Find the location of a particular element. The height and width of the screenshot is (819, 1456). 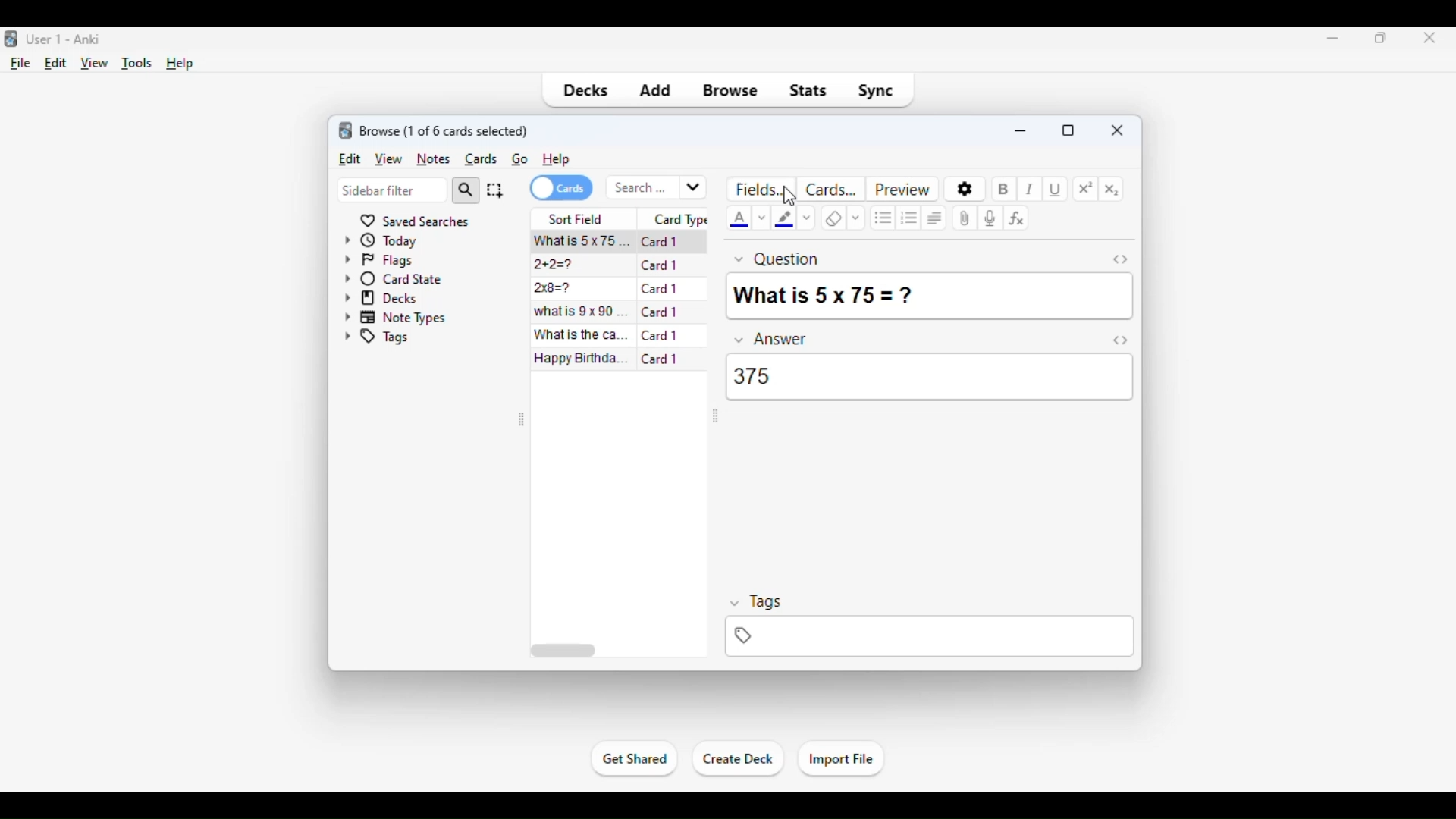

answer is located at coordinates (772, 339).